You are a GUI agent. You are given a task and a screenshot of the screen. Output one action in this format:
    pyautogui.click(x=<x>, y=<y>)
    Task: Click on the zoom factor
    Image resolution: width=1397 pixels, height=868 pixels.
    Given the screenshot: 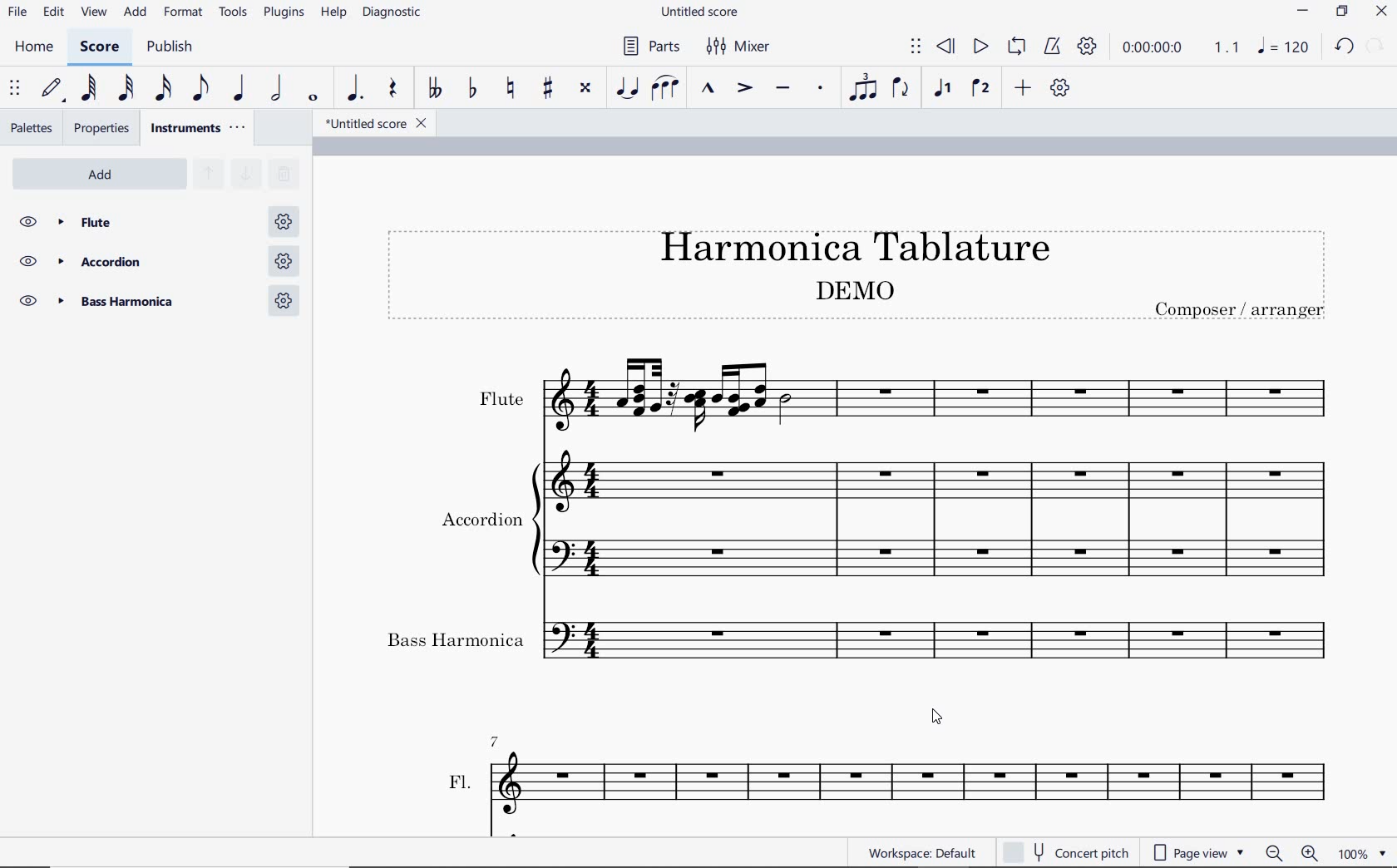 What is the action you would take?
    pyautogui.click(x=1350, y=855)
    